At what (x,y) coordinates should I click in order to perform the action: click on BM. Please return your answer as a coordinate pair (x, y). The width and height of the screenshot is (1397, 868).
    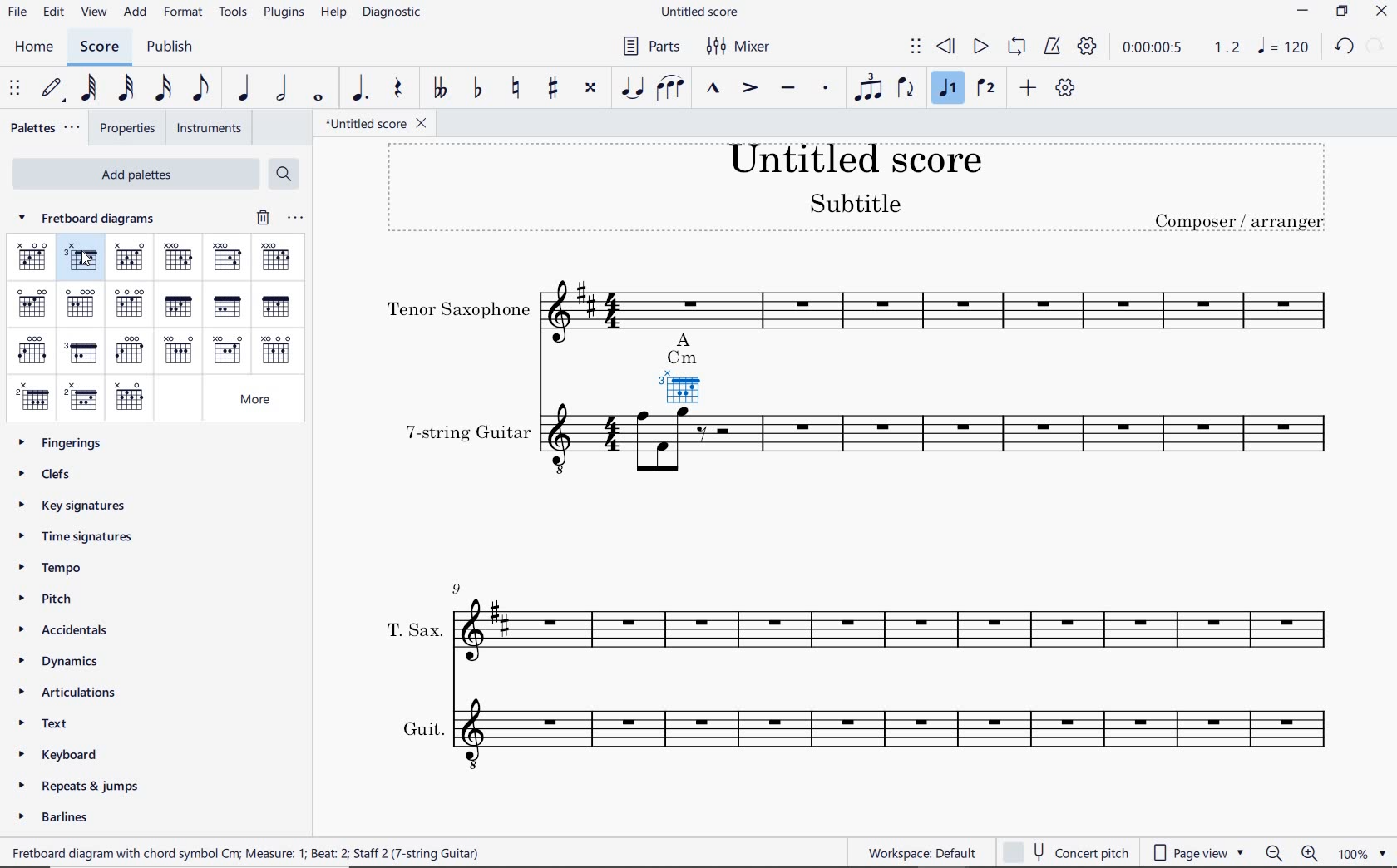
    Looking at the image, I should click on (83, 398).